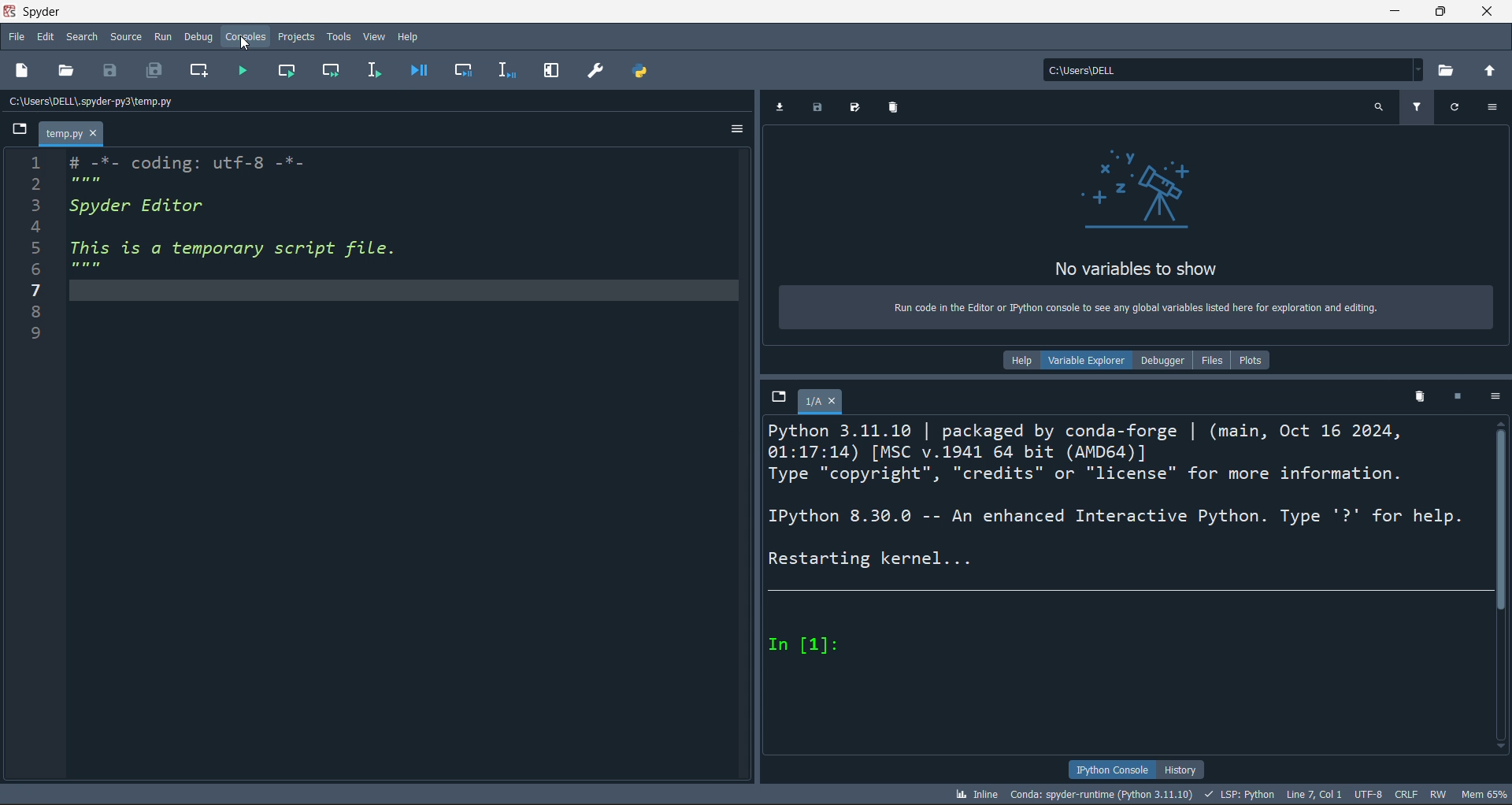  What do you see at coordinates (732, 131) in the screenshot?
I see `more options` at bounding box center [732, 131].